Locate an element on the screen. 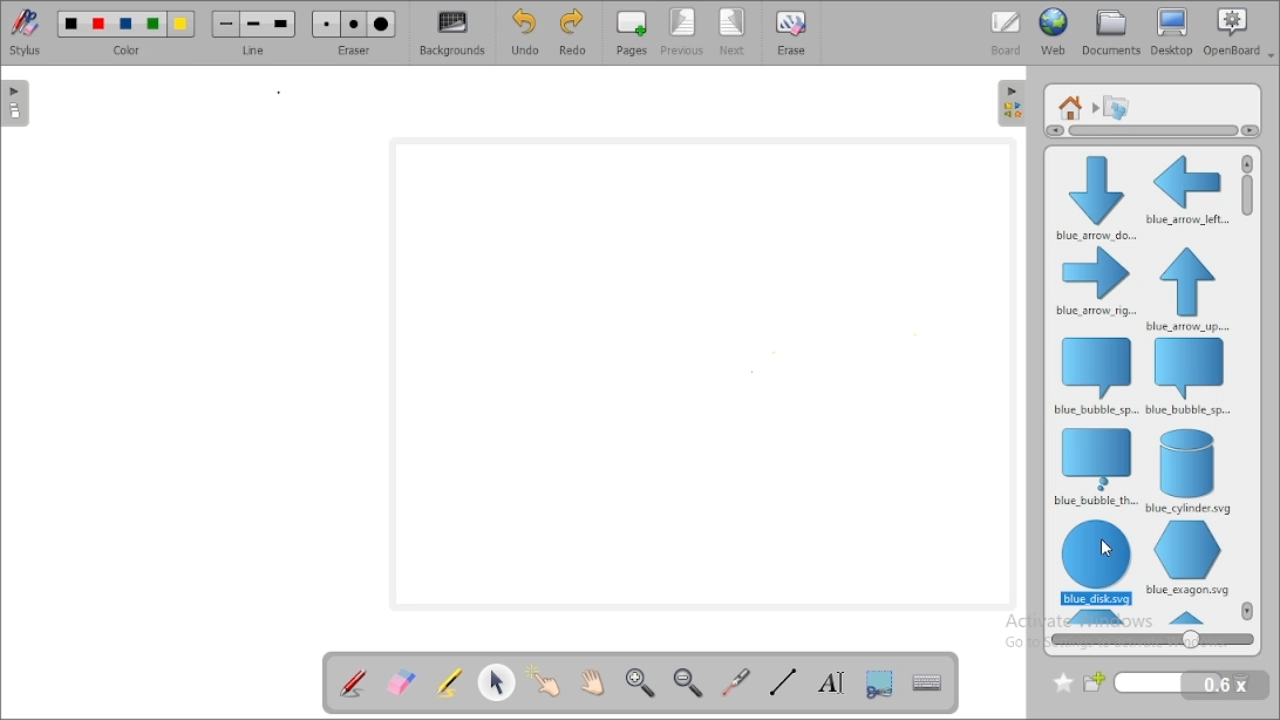  annotate document is located at coordinates (352, 682).